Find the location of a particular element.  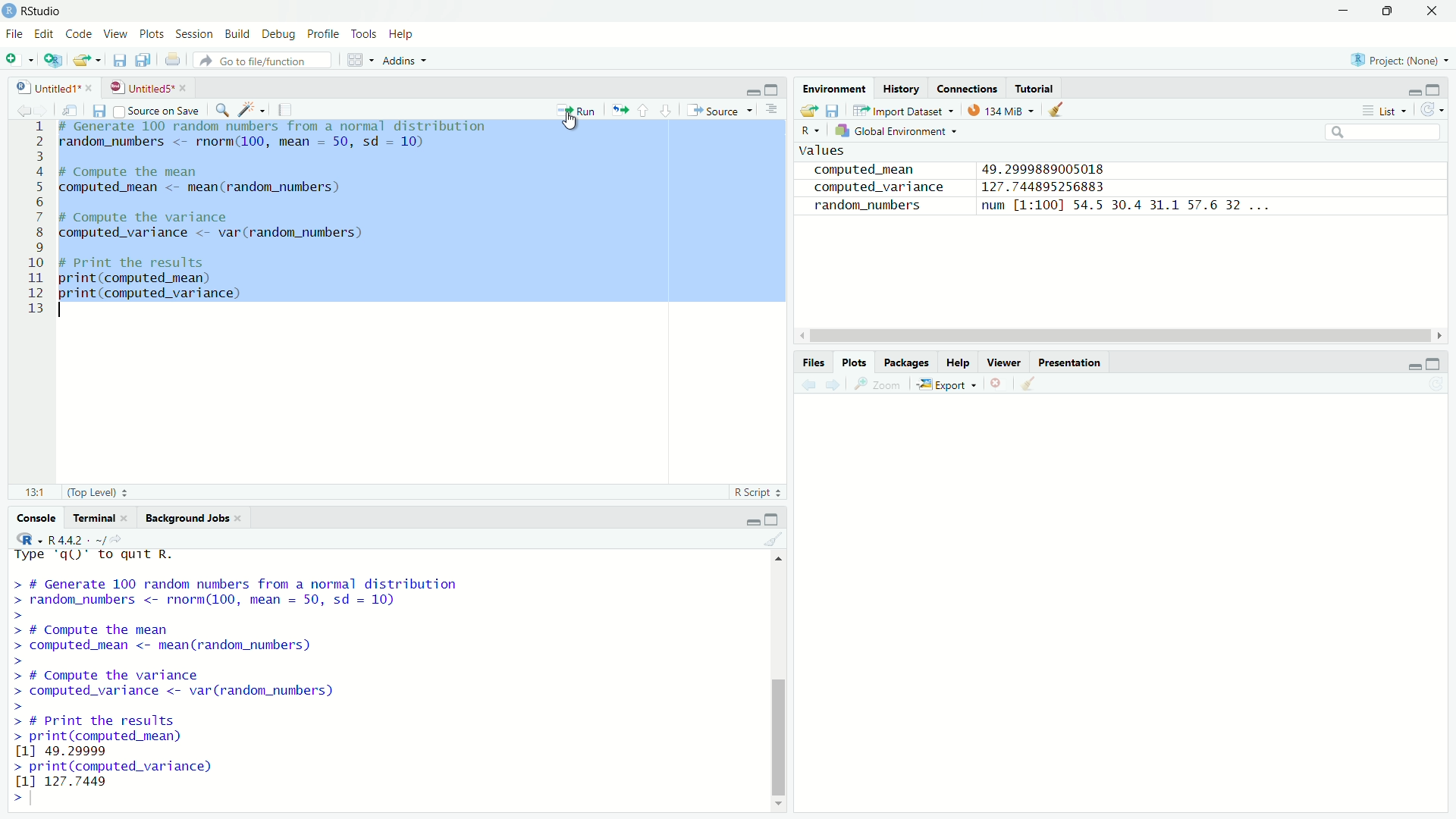

run the current line or selection is located at coordinates (578, 110).